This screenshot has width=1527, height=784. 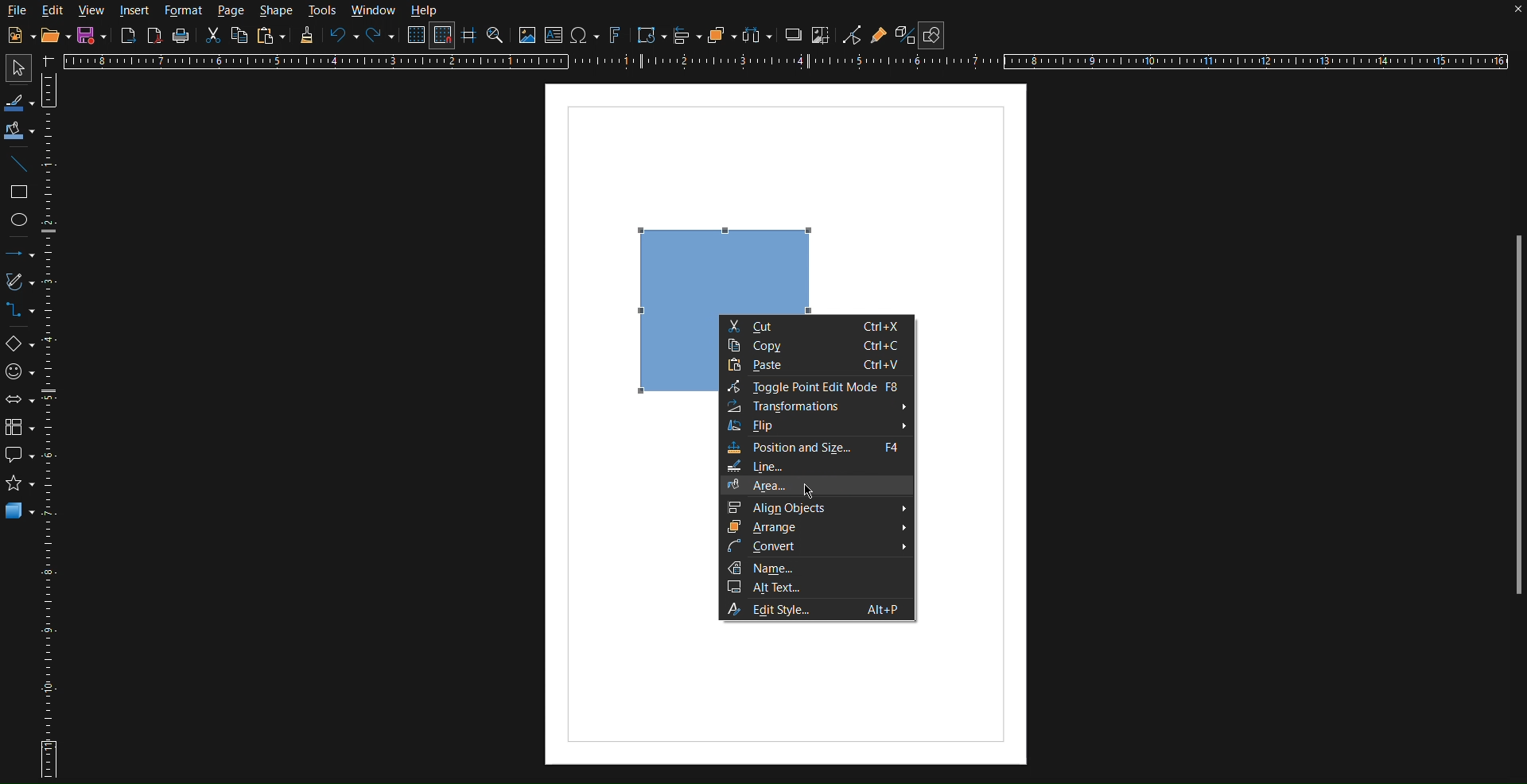 I want to click on Paste, so click(x=273, y=37).